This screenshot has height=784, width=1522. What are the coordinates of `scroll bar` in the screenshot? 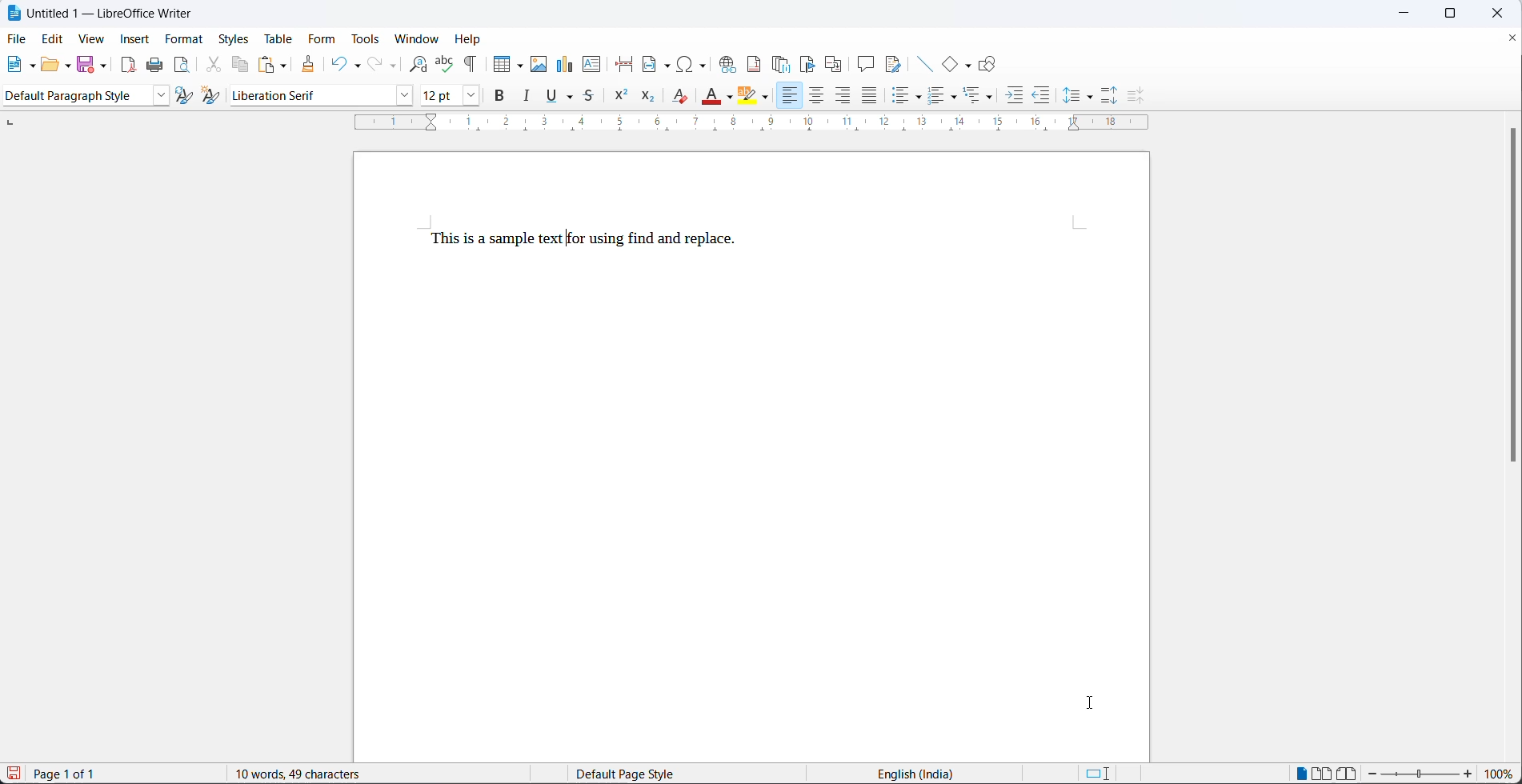 It's located at (1512, 303).